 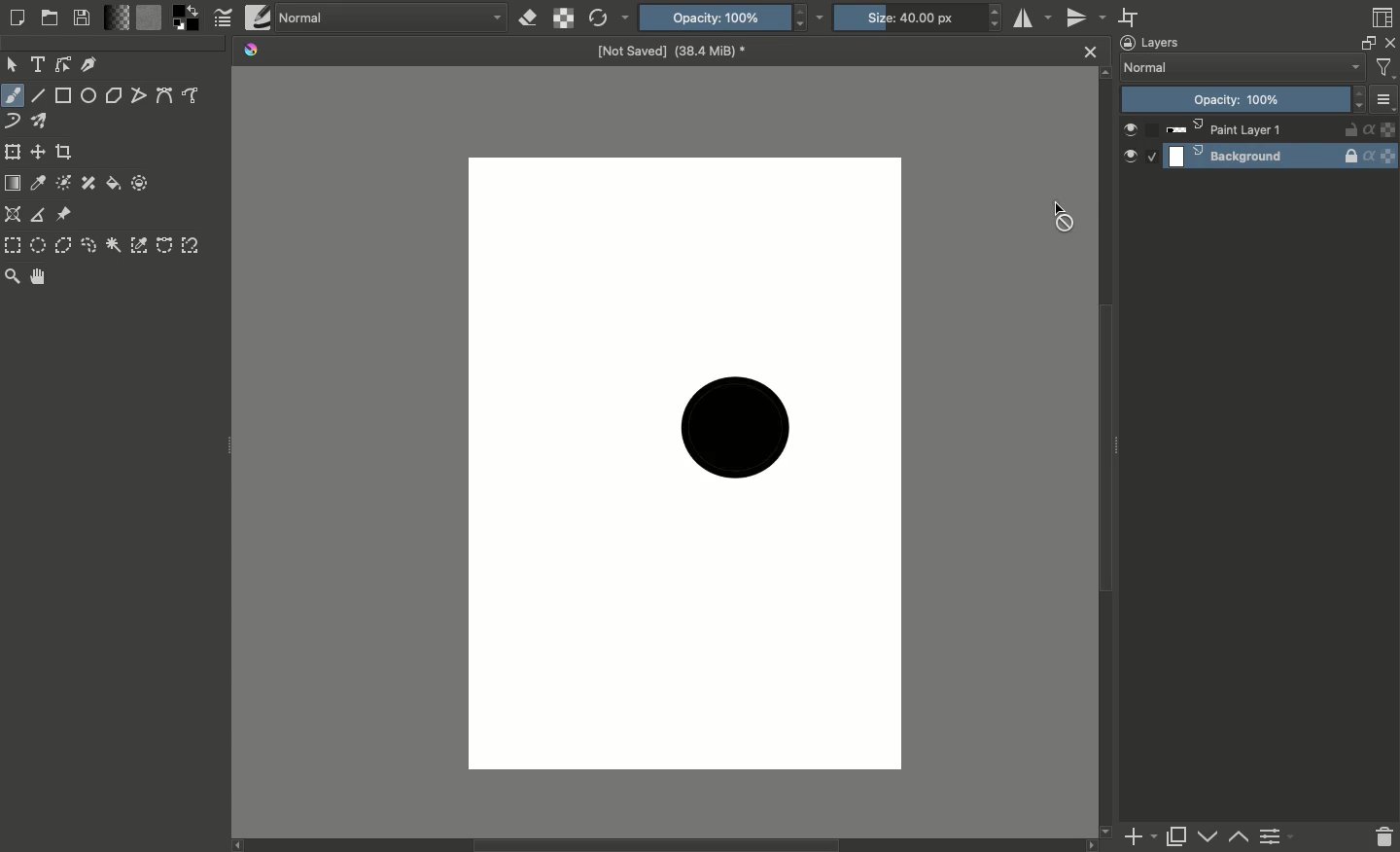 What do you see at coordinates (1130, 17) in the screenshot?
I see `Wrap around mode` at bounding box center [1130, 17].